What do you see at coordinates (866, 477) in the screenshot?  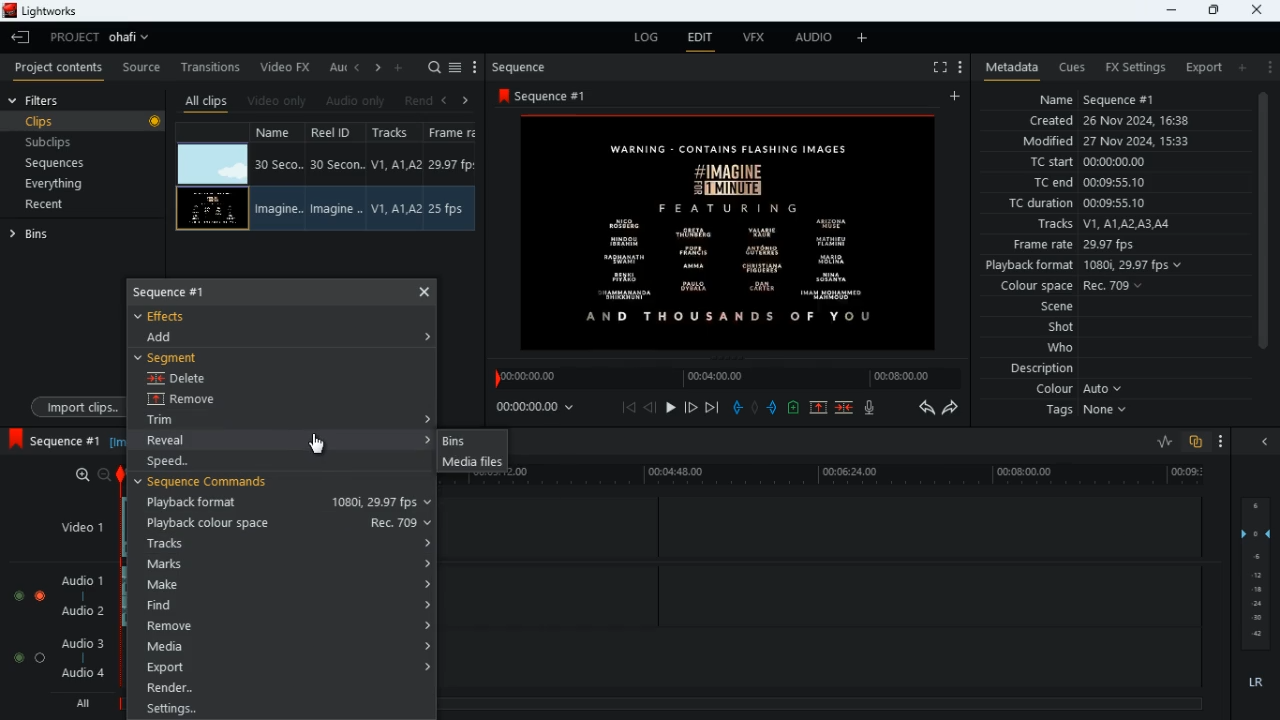 I see `timeline` at bounding box center [866, 477].